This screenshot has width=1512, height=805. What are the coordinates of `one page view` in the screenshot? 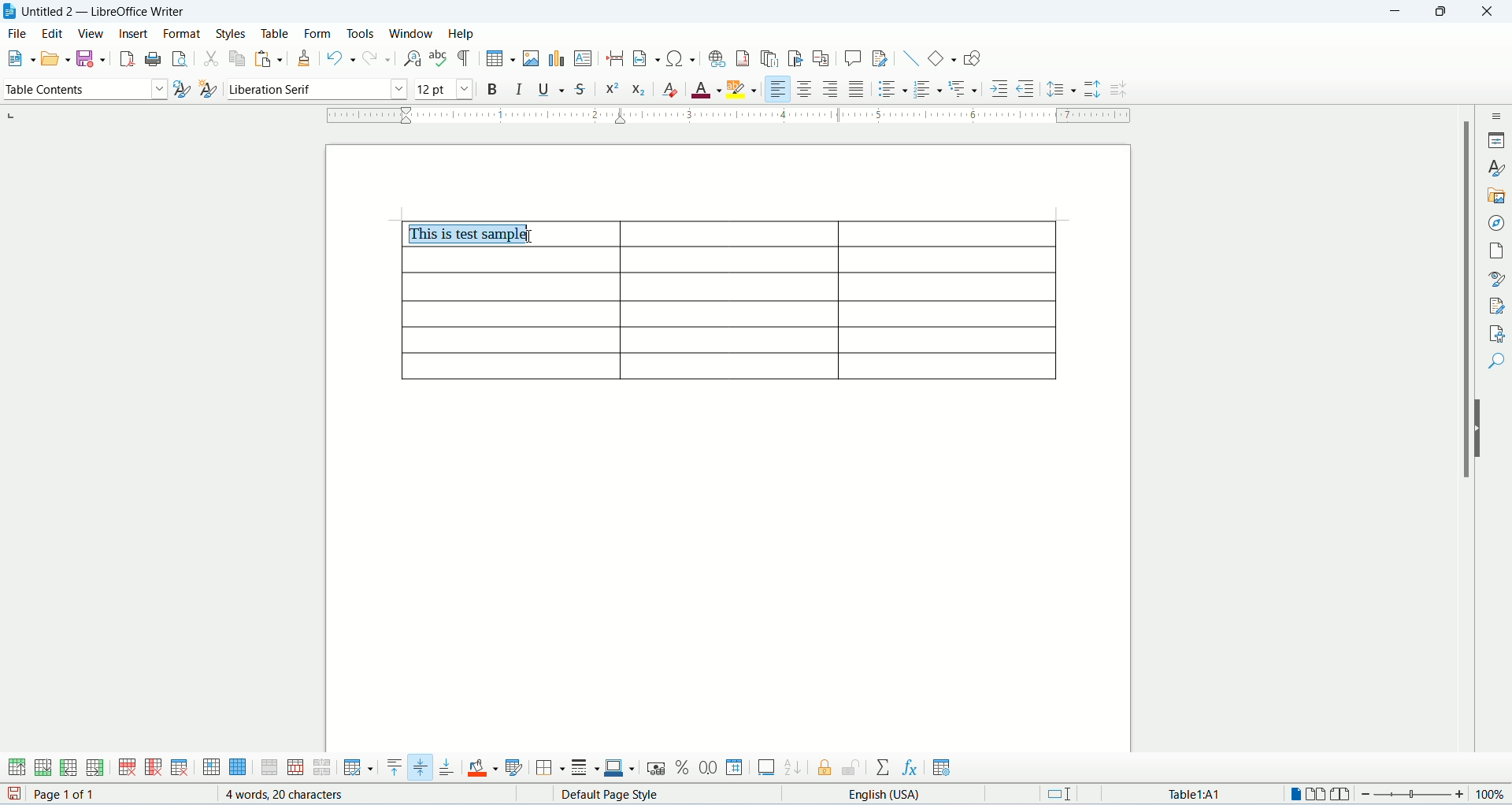 It's located at (1293, 794).